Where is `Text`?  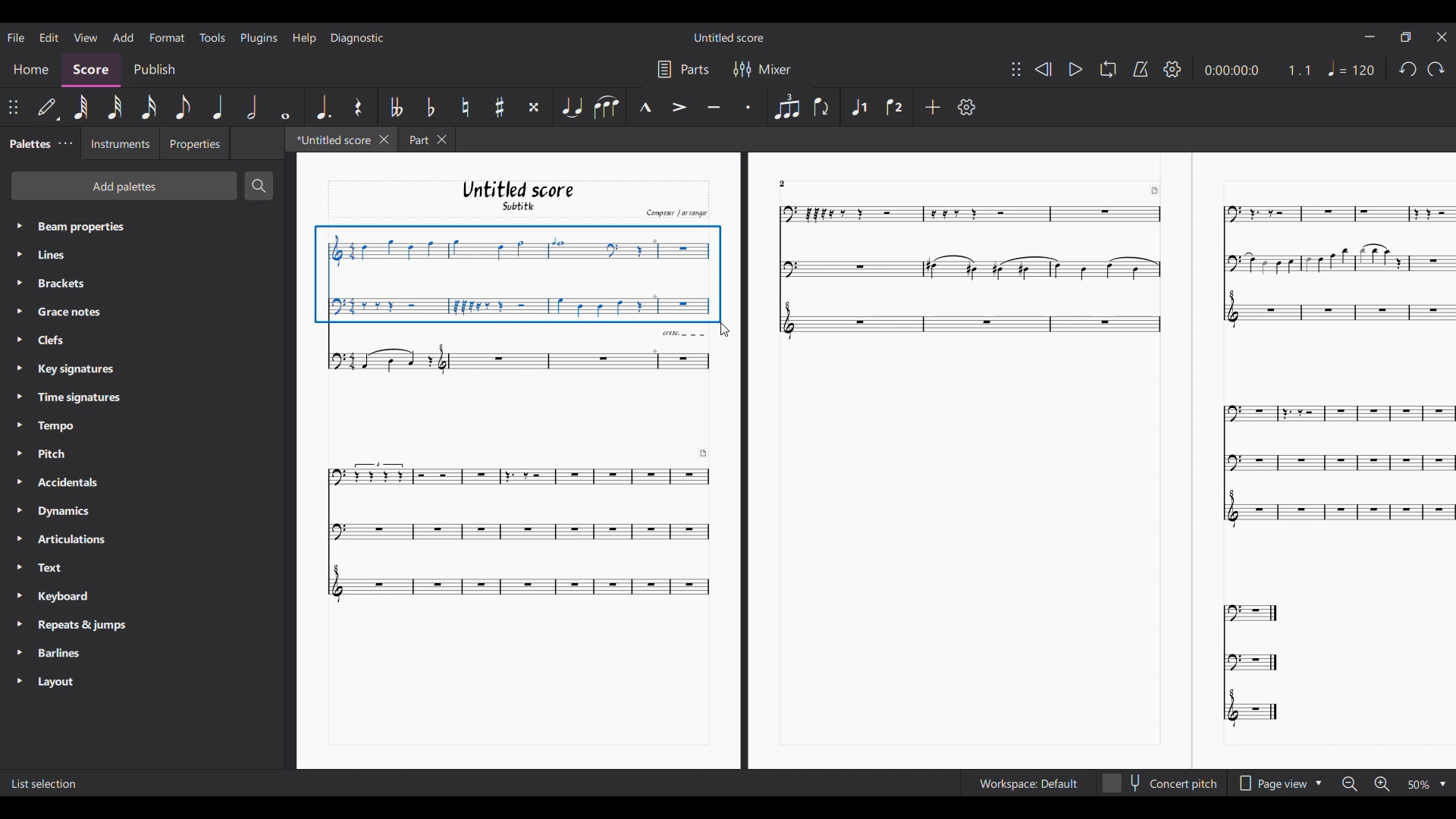
Text is located at coordinates (71, 567).